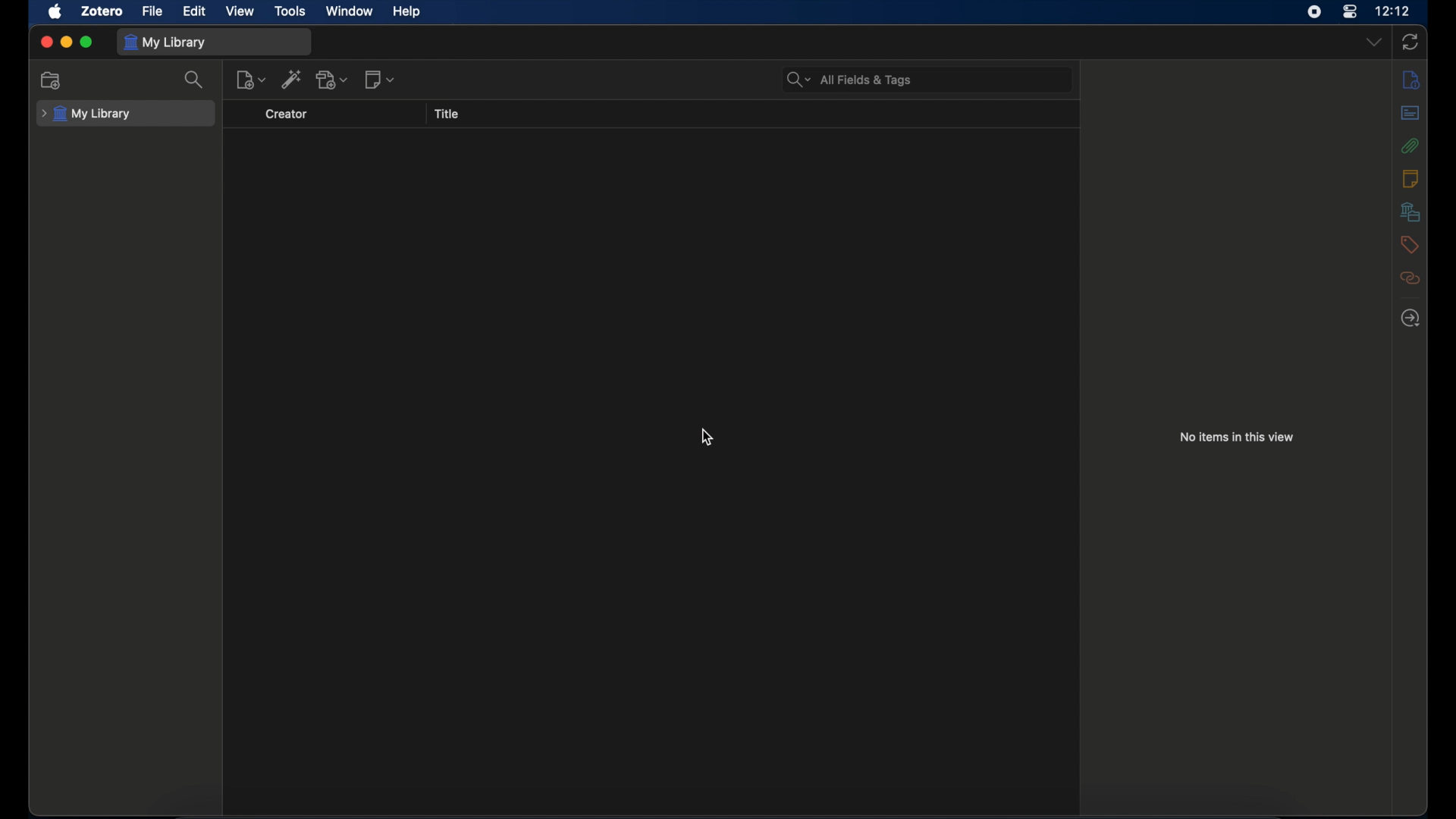 This screenshot has height=819, width=1456. I want to click on sync, so click(1410, 42).